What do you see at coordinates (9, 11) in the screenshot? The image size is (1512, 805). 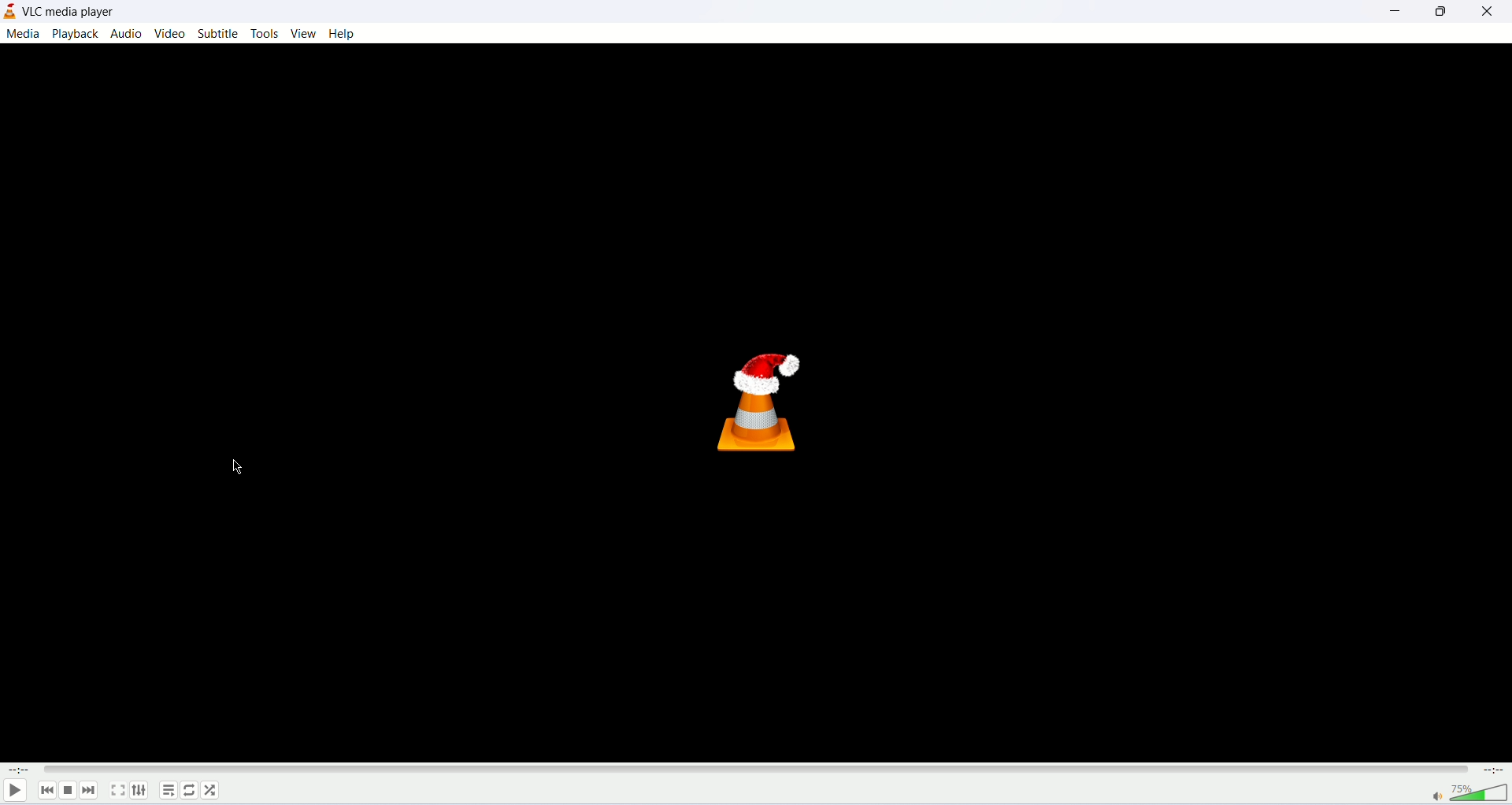 I see `application icon` at bounding box center [9, 11].